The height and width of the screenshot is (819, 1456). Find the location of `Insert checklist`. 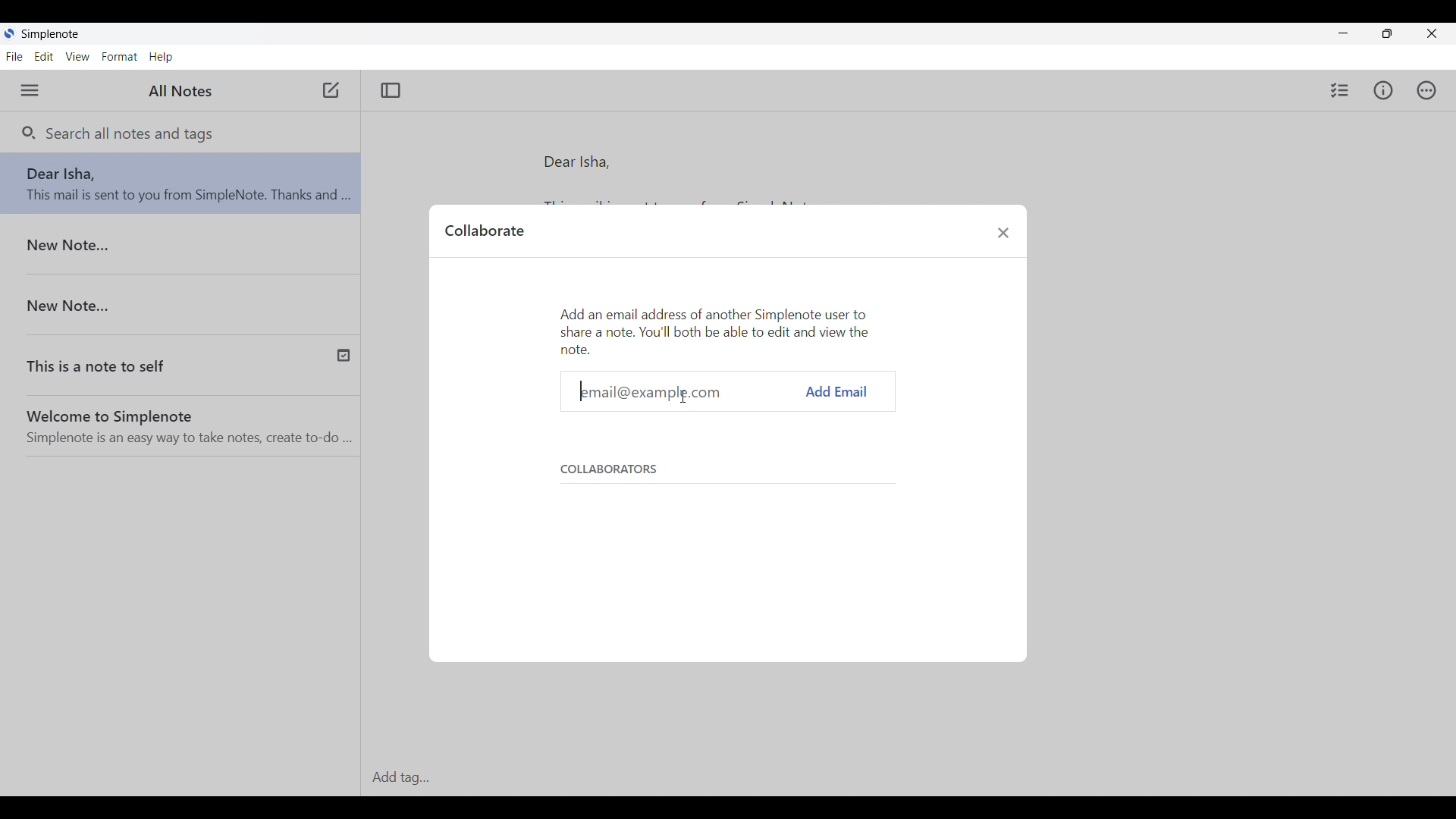

Insert checklist is located at coordinates (1340, 89).